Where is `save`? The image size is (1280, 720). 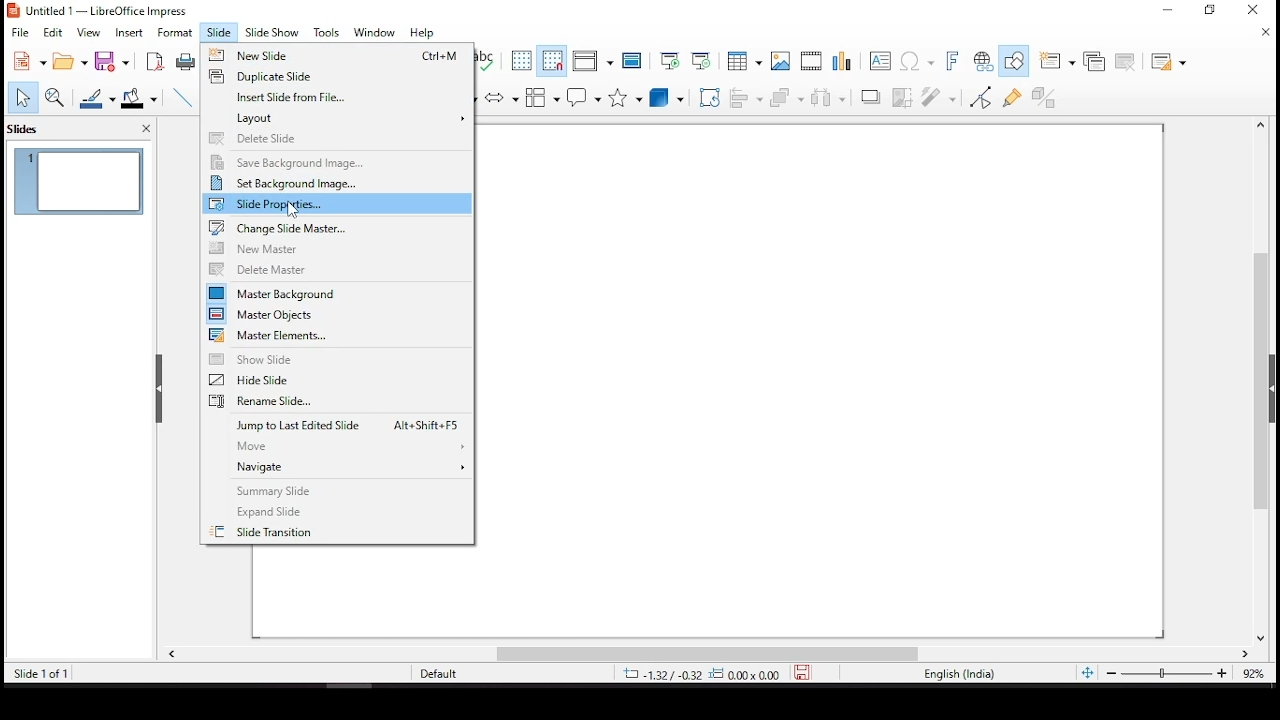 save is located at coordinates (112, 63).